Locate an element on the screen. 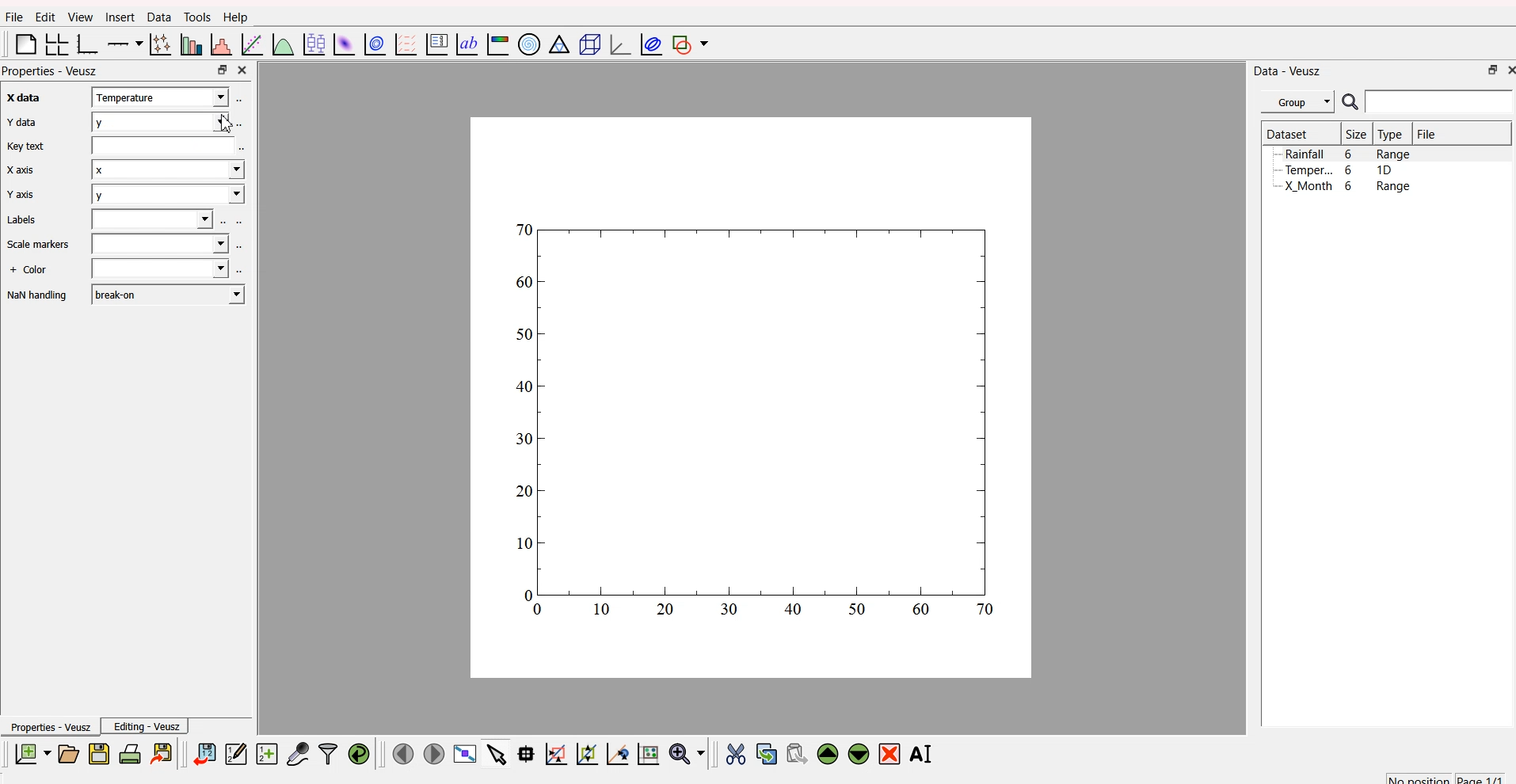 The width and height of the screenshot is (1516, 784). close is located at coordinates (1508, 71).